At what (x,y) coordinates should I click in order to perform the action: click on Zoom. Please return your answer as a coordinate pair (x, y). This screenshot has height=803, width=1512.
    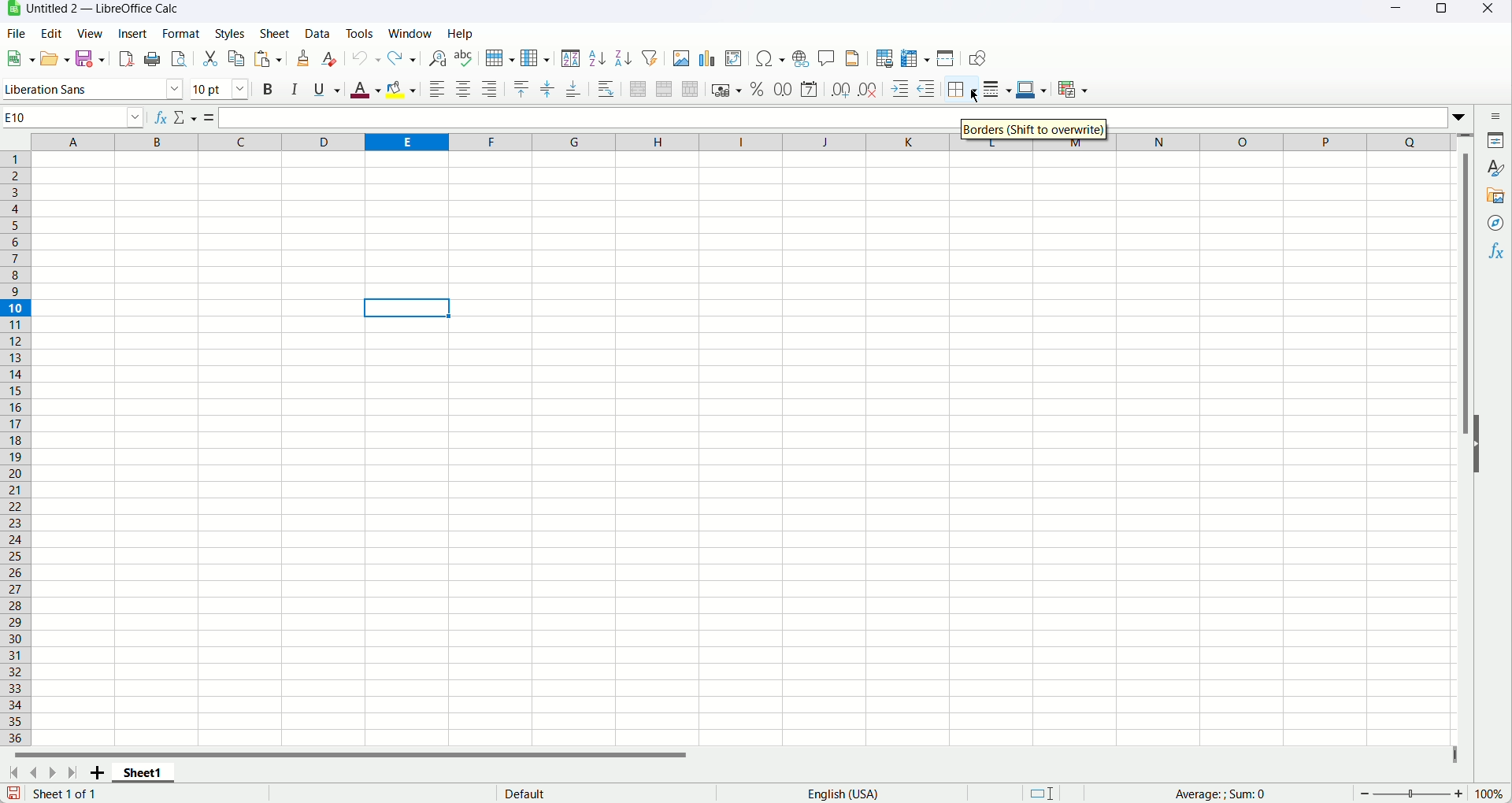
    Looking at the image, I should click on (1410, 794).